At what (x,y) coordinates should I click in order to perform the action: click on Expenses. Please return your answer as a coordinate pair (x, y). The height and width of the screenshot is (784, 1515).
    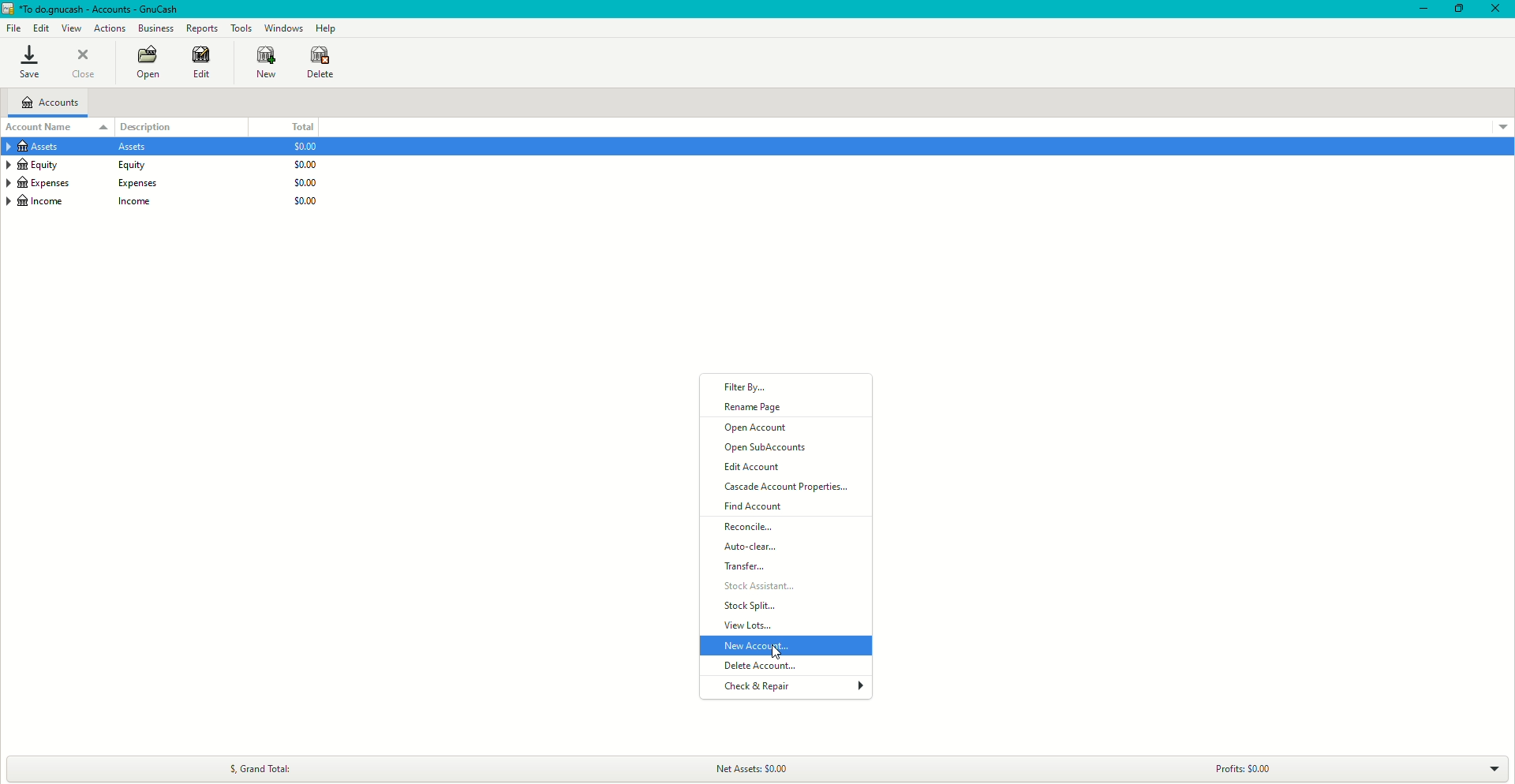
    Looking at the image, I should click on (84, 183).